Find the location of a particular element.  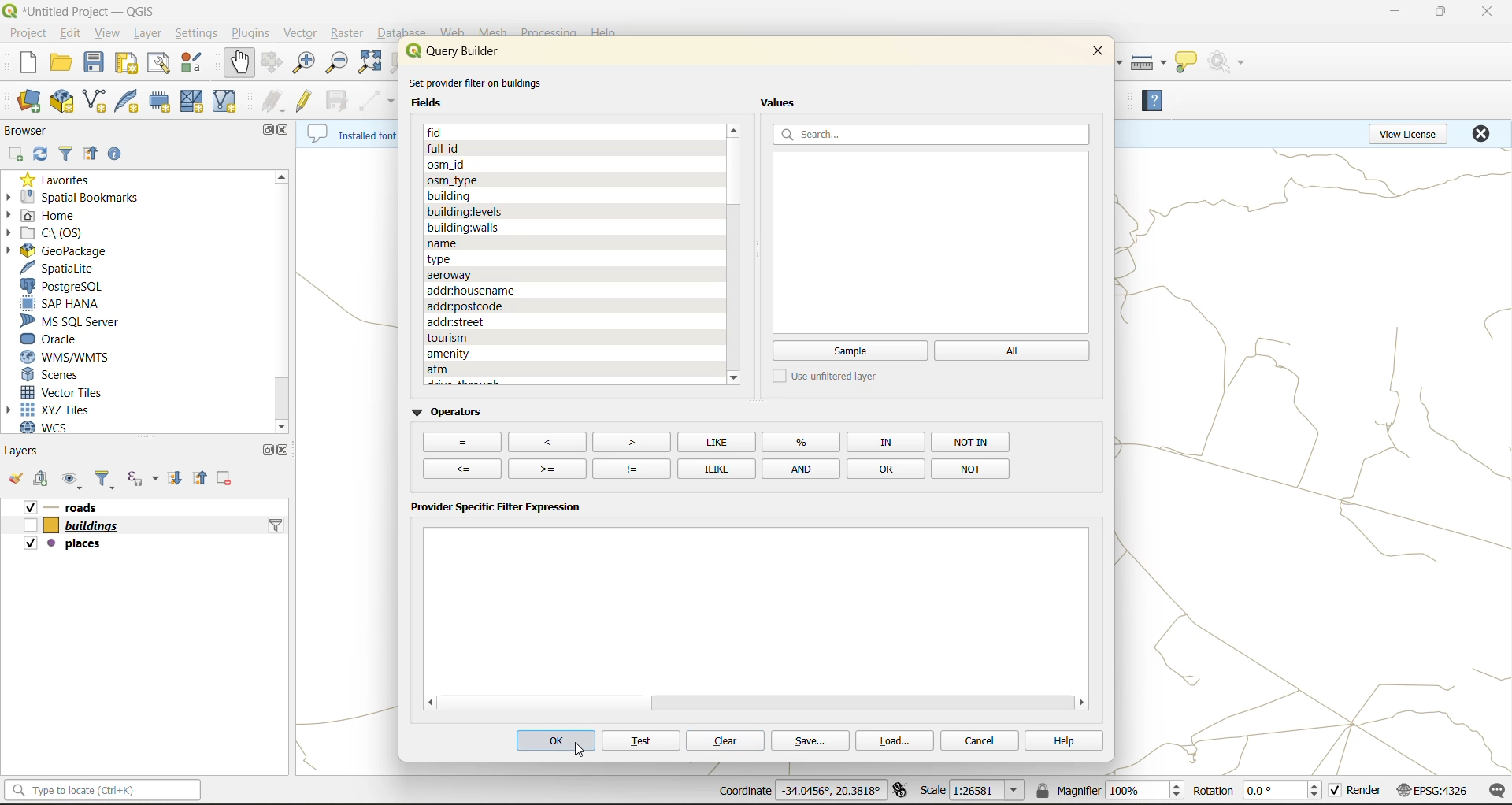

text is located at coordinates (641, 742).